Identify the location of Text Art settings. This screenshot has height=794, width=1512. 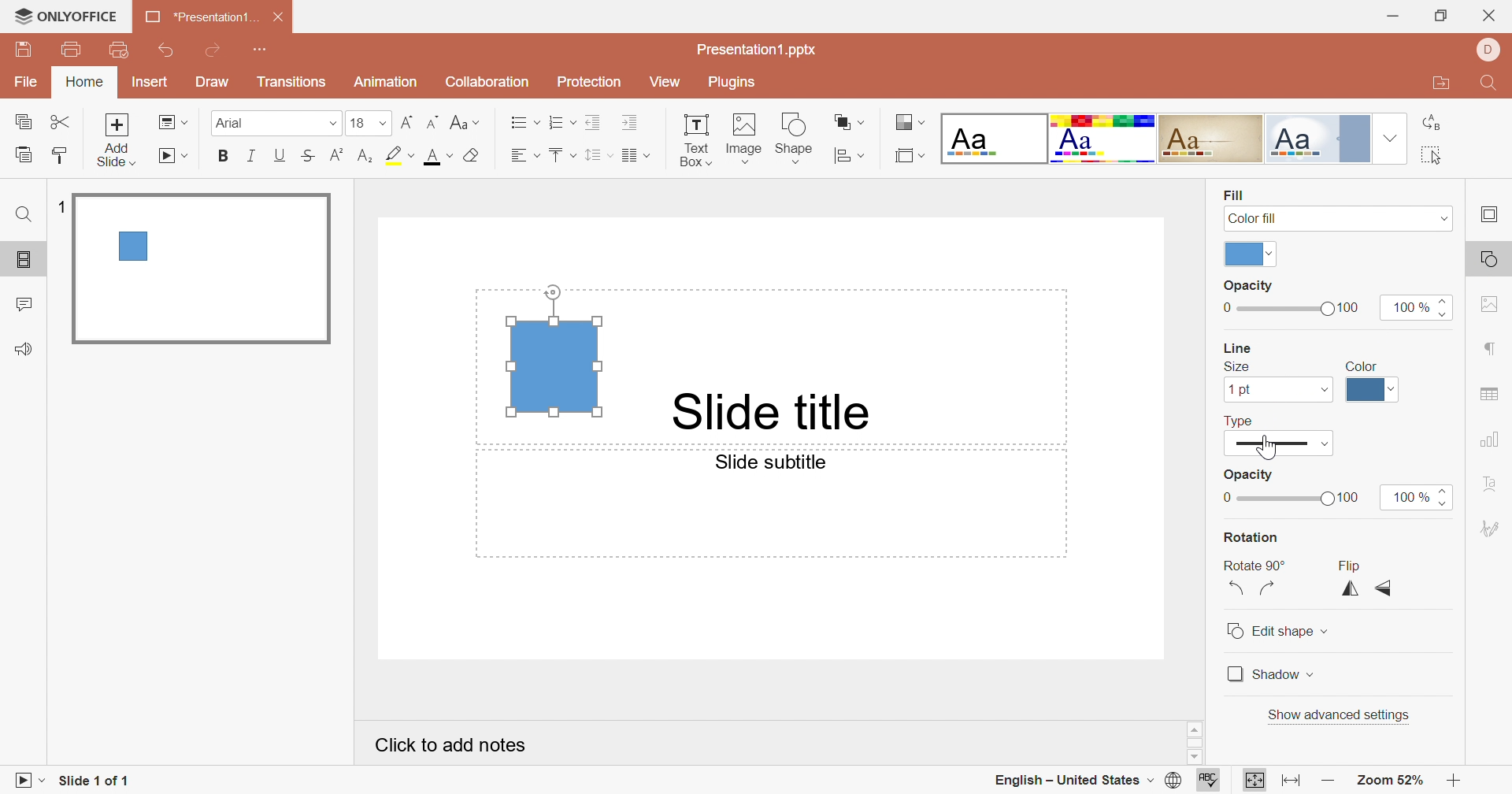
(1495, 484).